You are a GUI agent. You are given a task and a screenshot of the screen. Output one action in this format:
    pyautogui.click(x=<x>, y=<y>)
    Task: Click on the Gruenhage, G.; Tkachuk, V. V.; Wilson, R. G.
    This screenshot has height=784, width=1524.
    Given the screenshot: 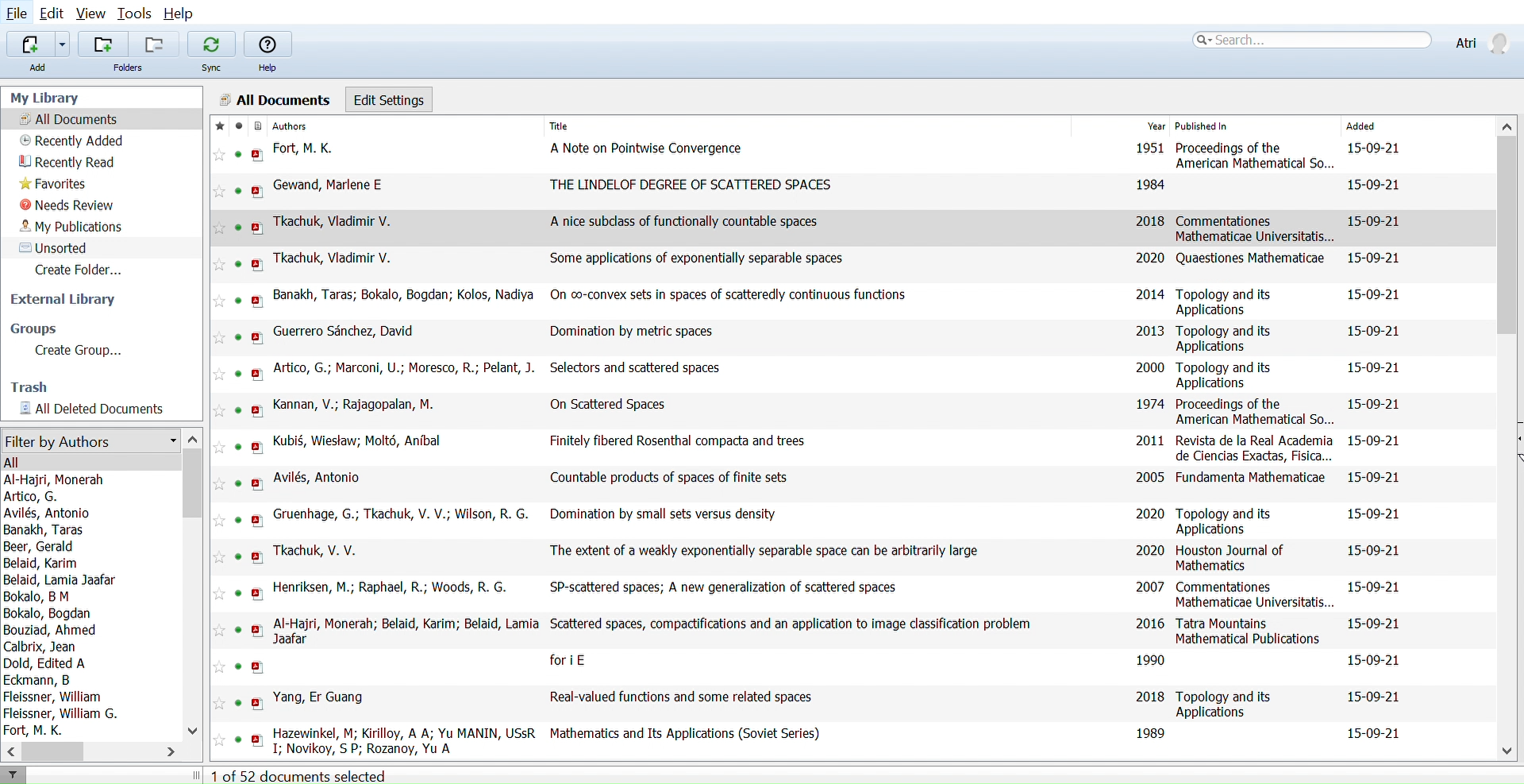 What is the action you would take?
    pyautogui.click(x=402, y=514)
    